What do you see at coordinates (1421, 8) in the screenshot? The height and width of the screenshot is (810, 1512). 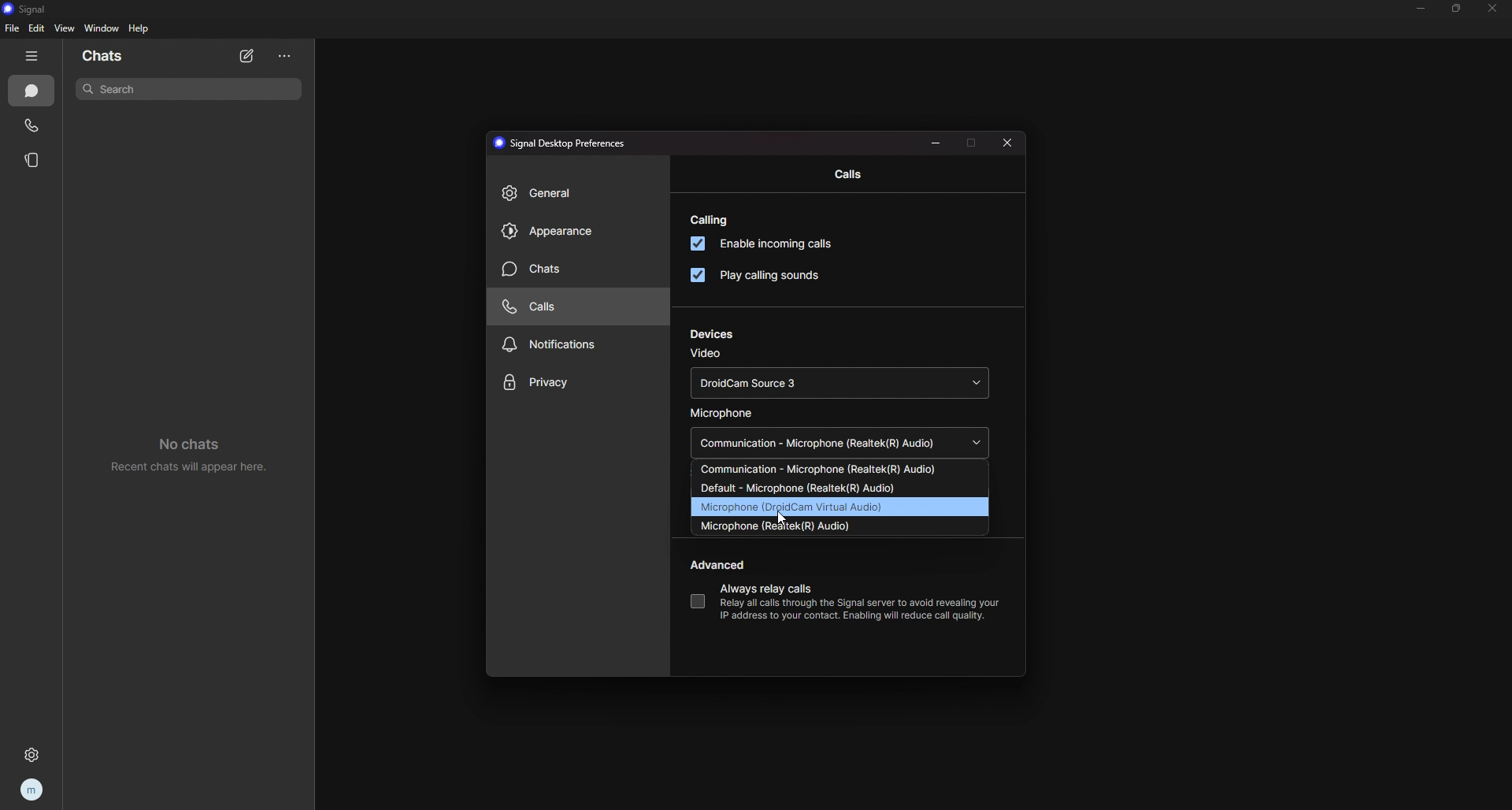 I see `minimize` at bounding box center [1421, 8].